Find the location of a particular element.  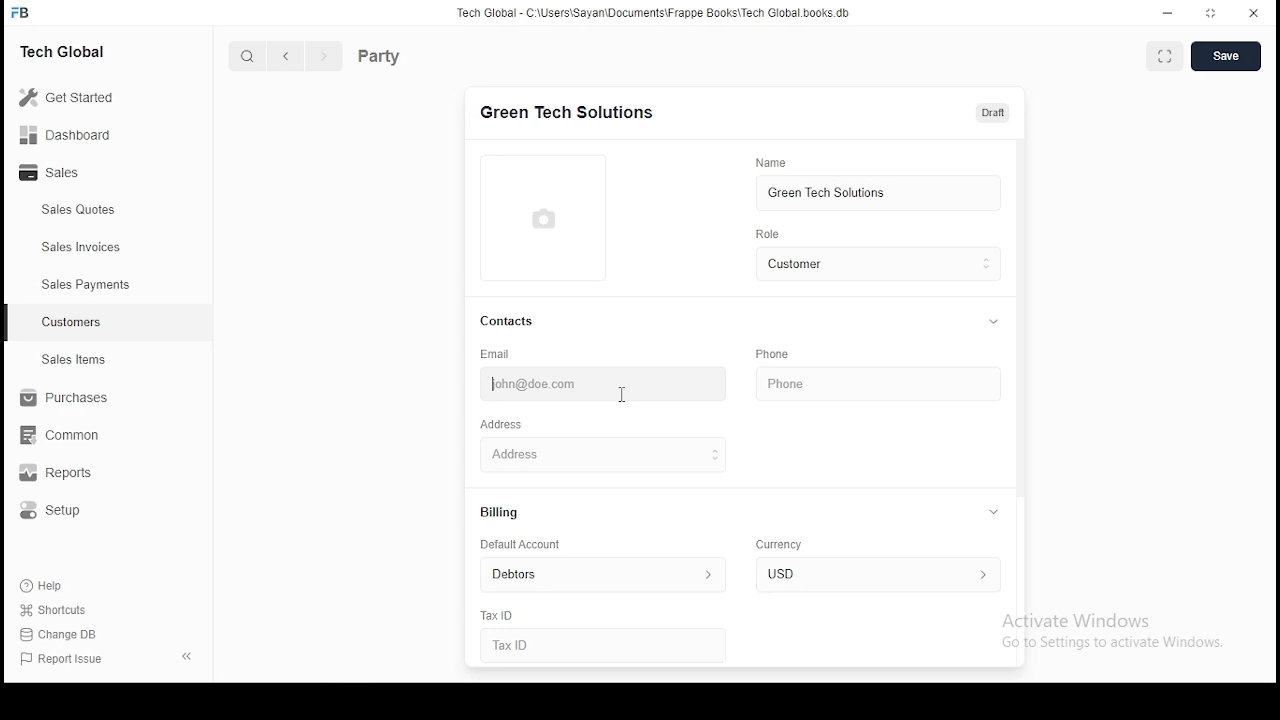

reports is located at coordinates (64, 474).